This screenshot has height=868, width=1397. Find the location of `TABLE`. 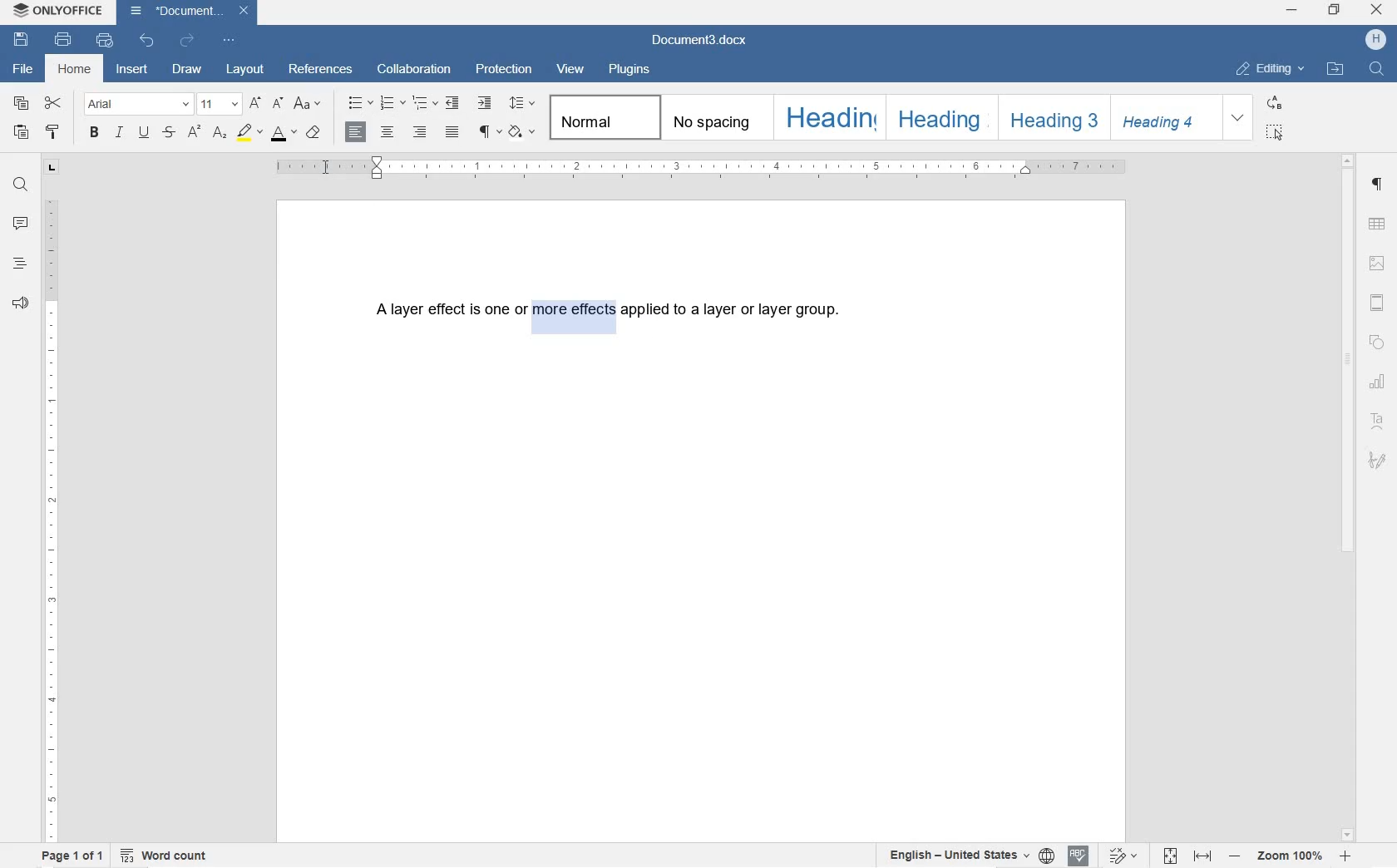

TABLE is located at coordinates (1378, 225).